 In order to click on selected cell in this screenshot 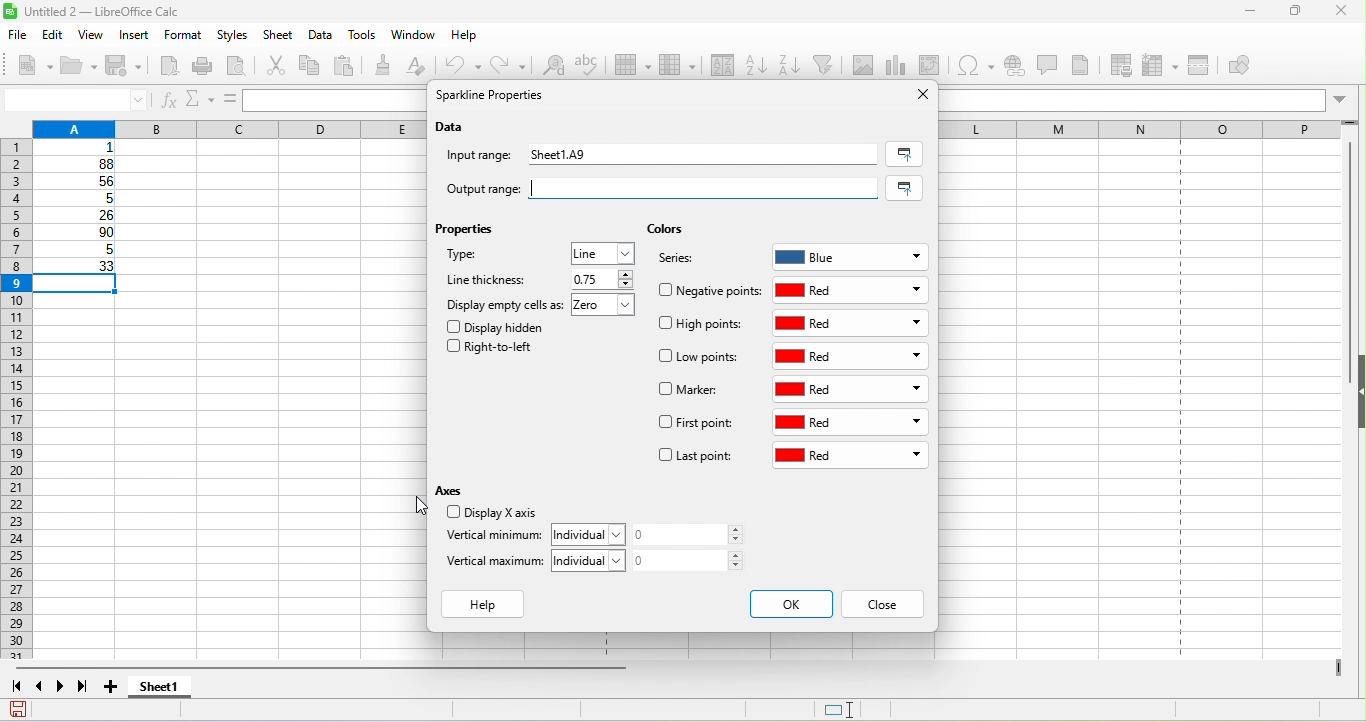, I will do `click(81, 285)`.